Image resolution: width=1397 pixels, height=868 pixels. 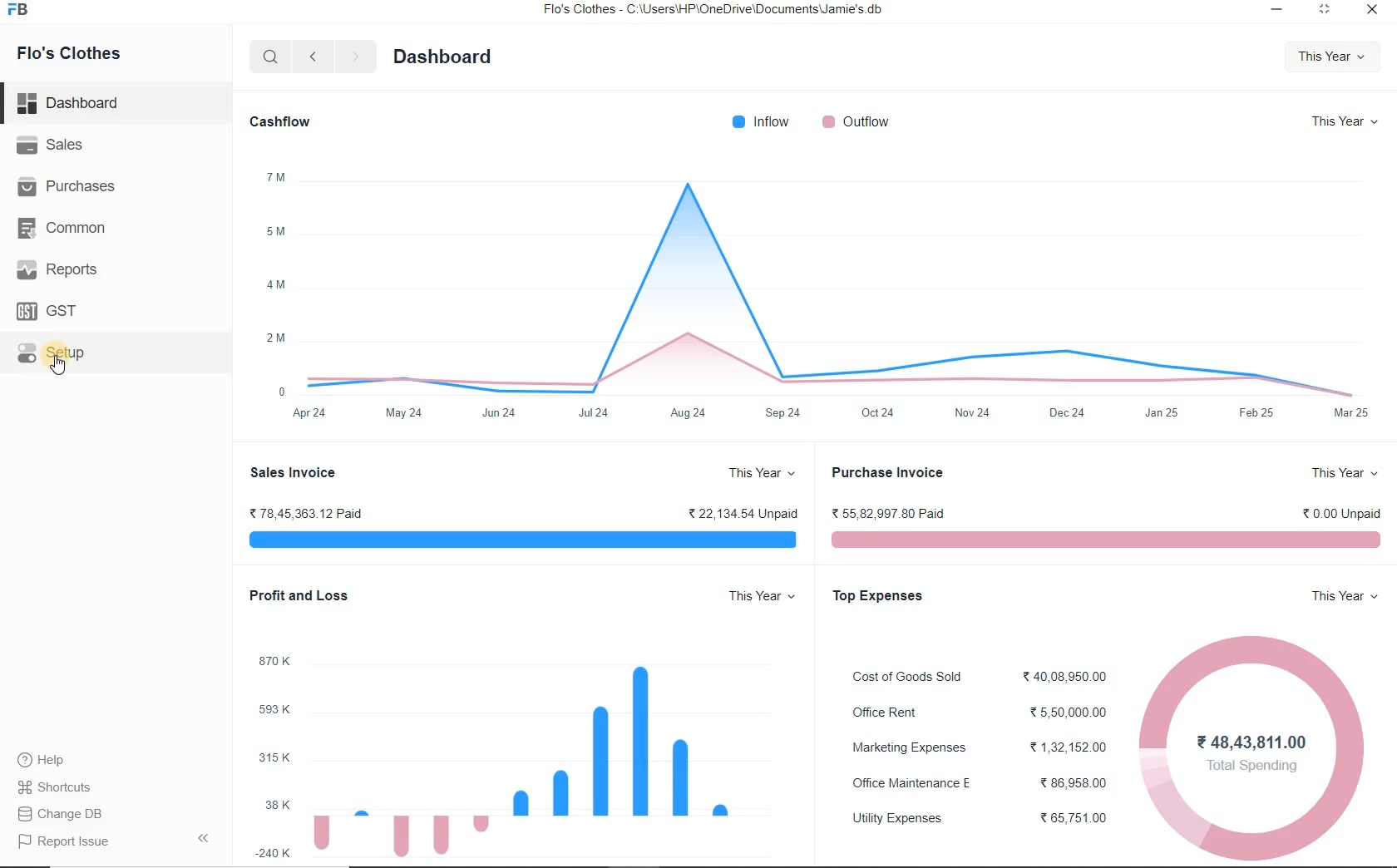 I want to click on Sales Invoice, so click(x=292, y=473).